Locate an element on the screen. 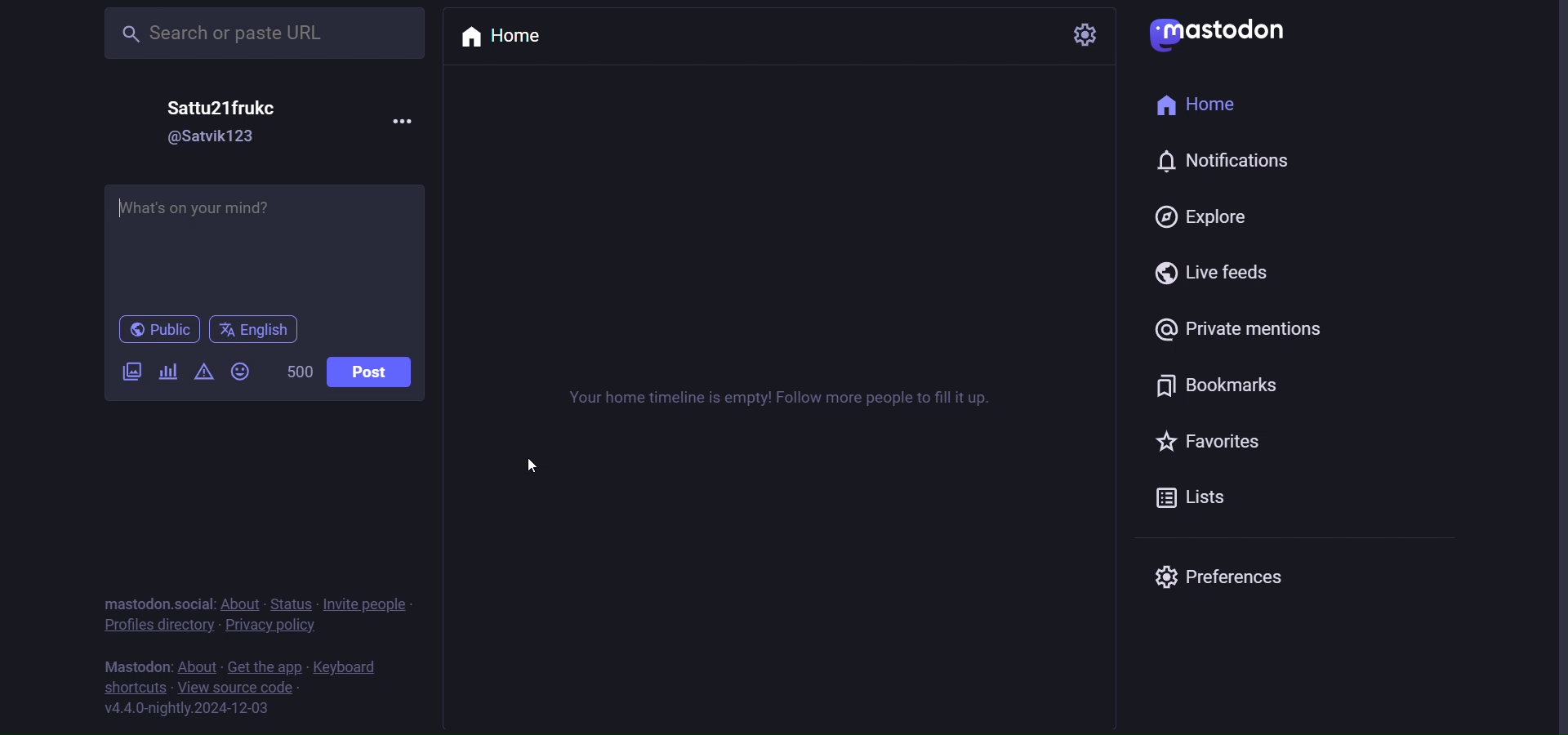 This screenshot has height=735, width=1568. bookmark is located at coordinates (1215, 387).